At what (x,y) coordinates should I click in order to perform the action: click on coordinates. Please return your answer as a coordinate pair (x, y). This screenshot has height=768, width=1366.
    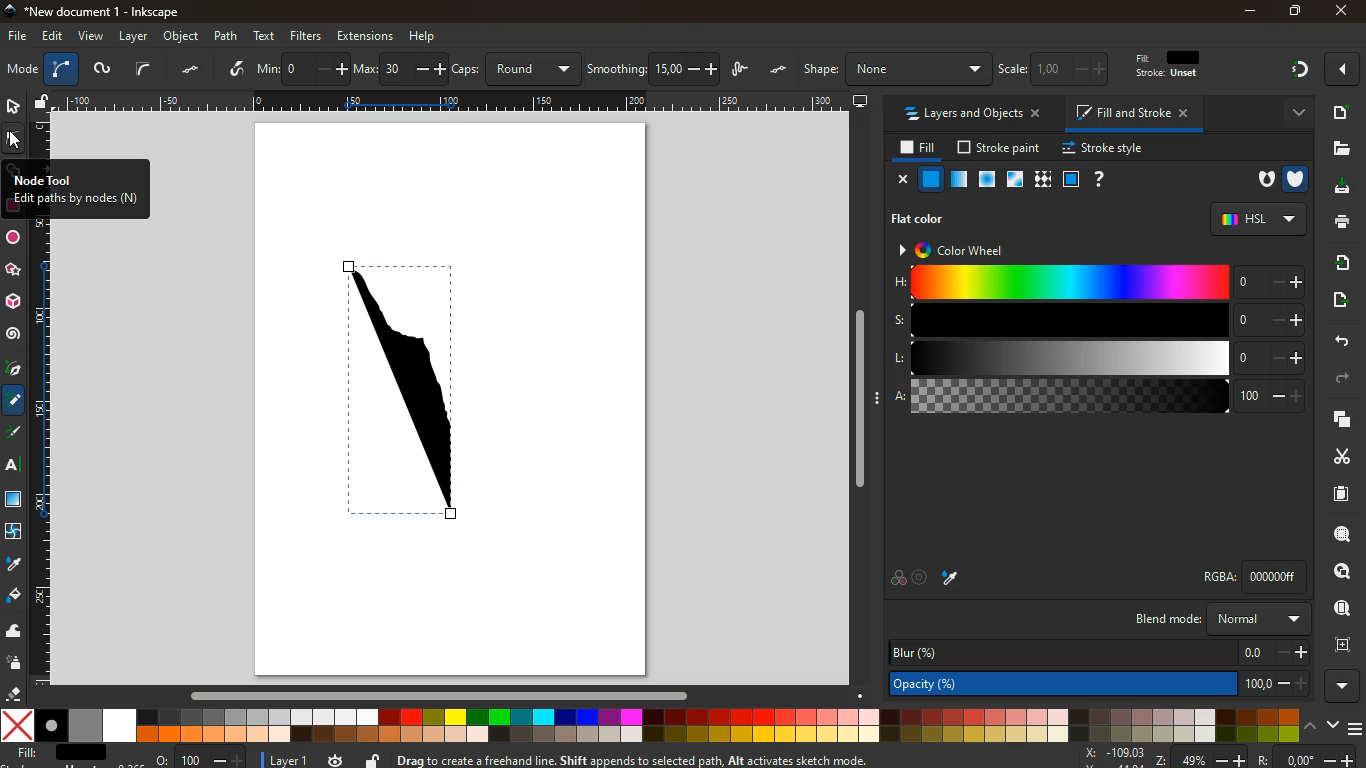
    Looking at the image, I should click on (1218, 757).